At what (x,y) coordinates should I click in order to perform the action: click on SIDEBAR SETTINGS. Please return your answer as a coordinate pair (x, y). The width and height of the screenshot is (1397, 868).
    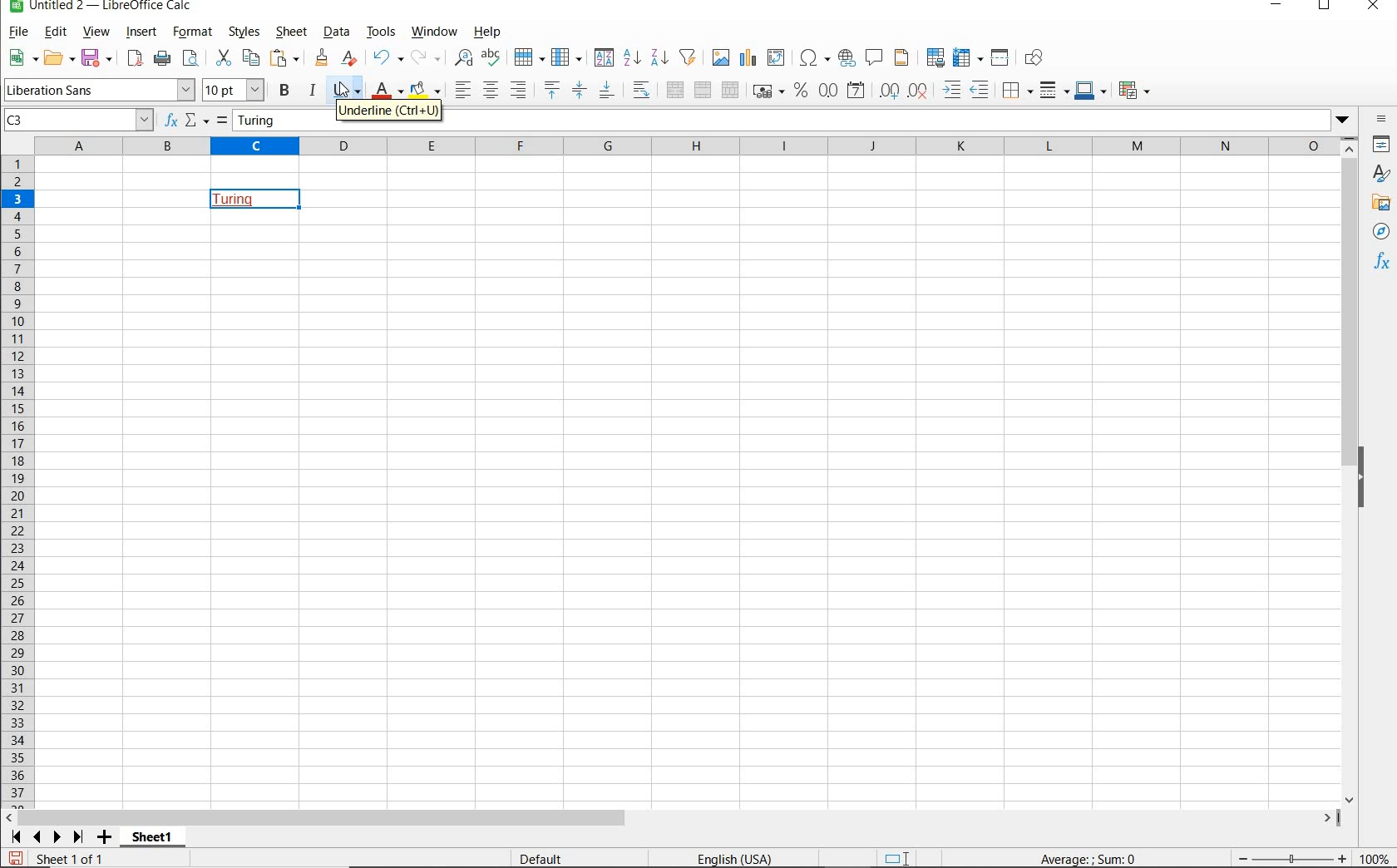
    Looking at the image, I should click on (1384, 117).